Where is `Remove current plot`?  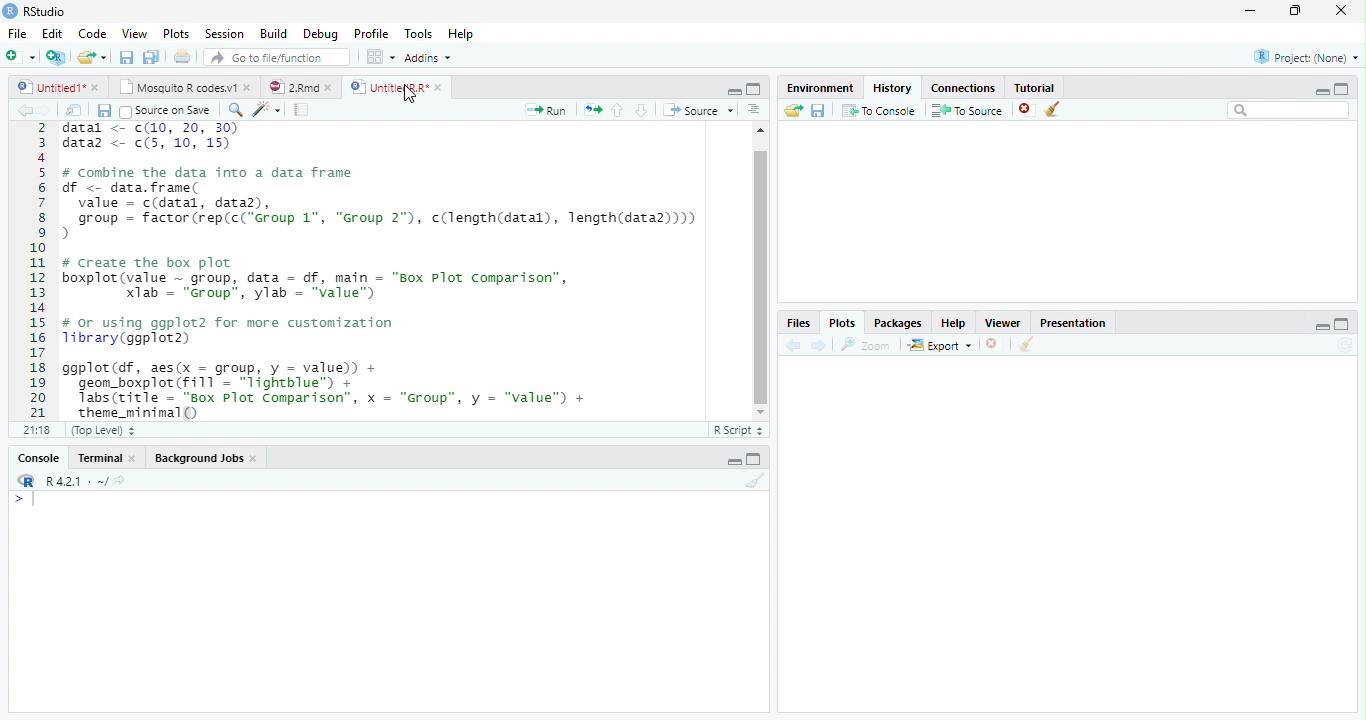 Remove current plot is located at coordinates (995, 344).